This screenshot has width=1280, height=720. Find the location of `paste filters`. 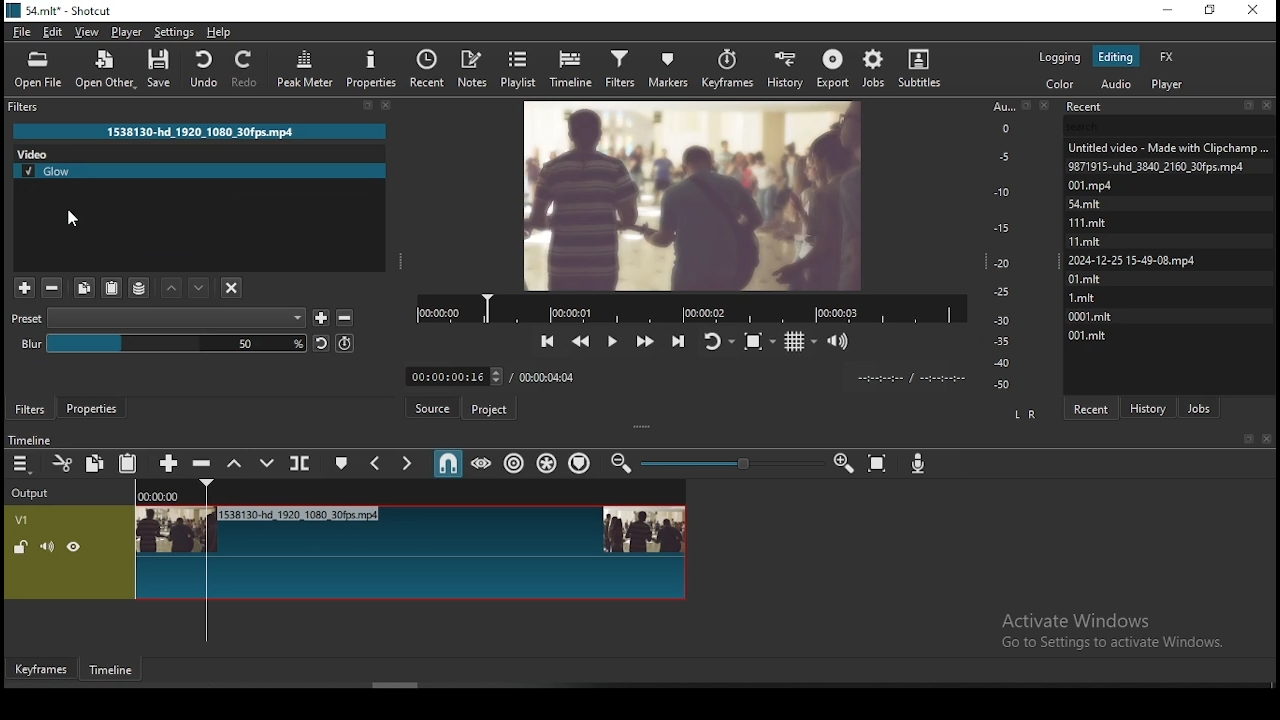

paste filters is located at coordinates (111, 289).